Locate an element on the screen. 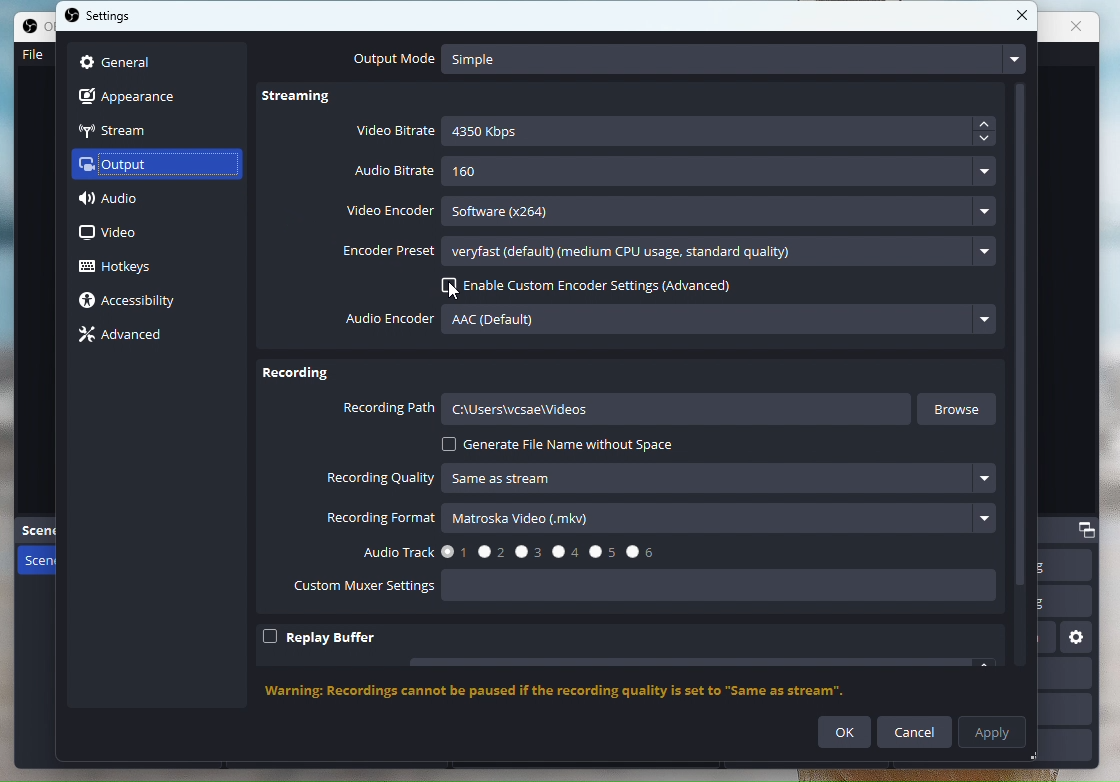  Video is located at coordinates (117, 232).